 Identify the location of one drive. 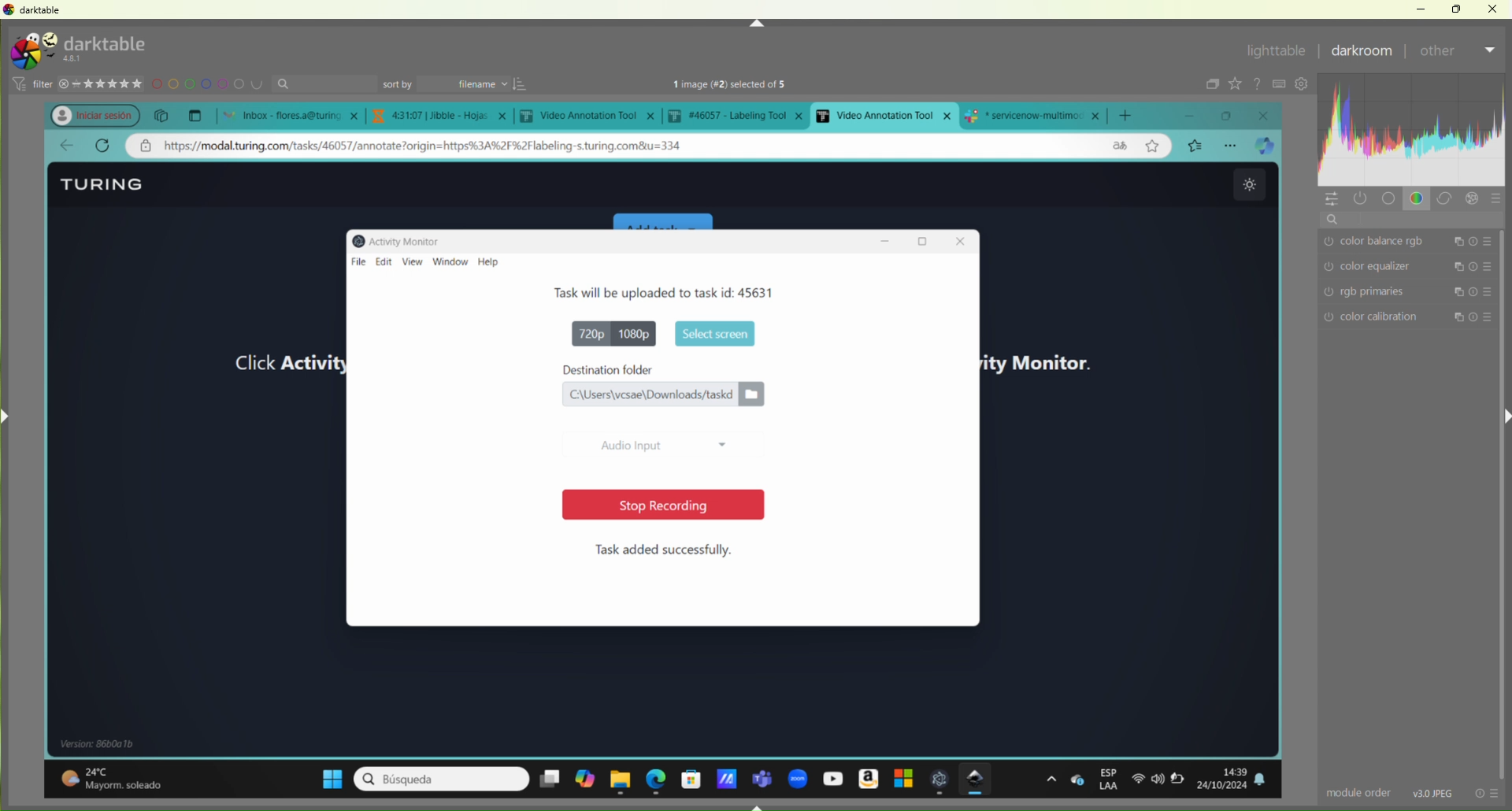
(1077, 780).